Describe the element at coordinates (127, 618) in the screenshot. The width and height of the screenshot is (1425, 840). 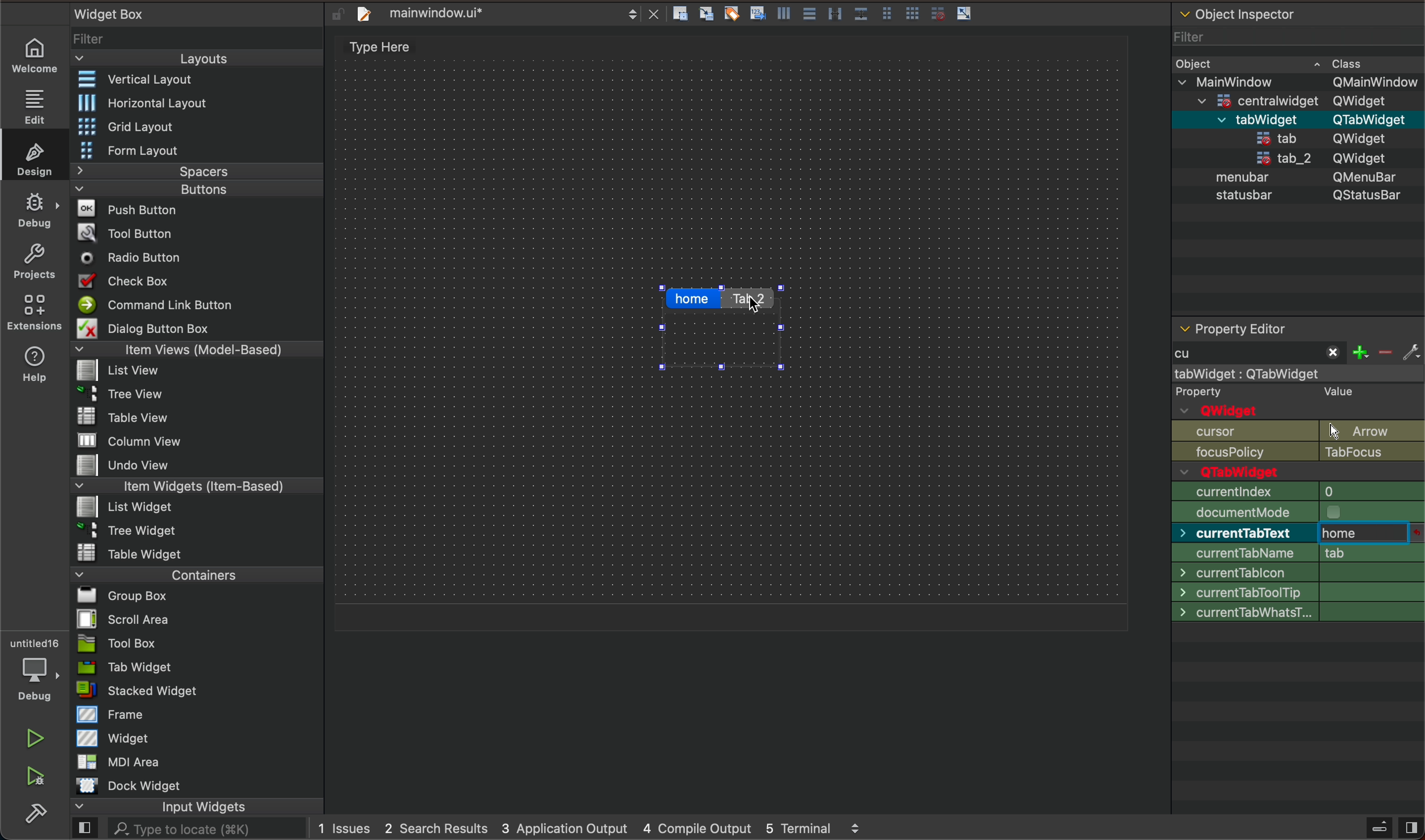
I see `Scroll Area` at that location.